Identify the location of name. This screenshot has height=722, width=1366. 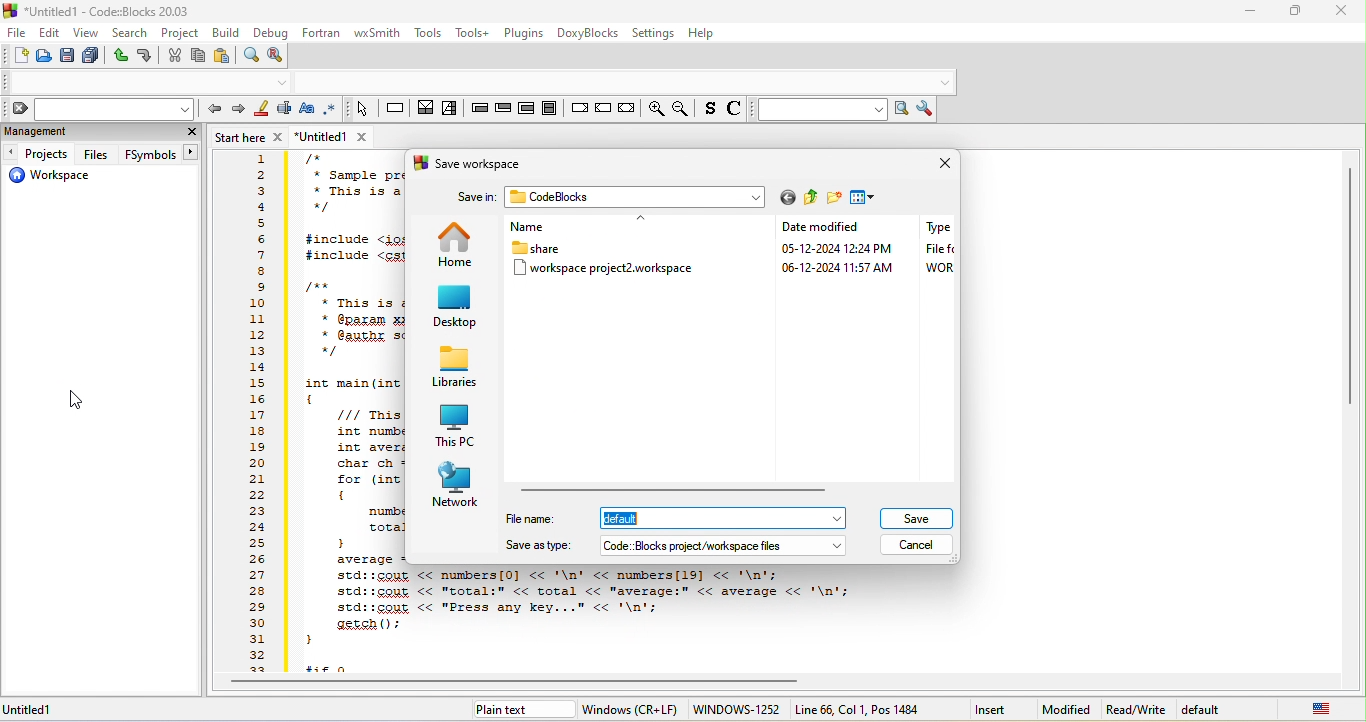
(556, 224).